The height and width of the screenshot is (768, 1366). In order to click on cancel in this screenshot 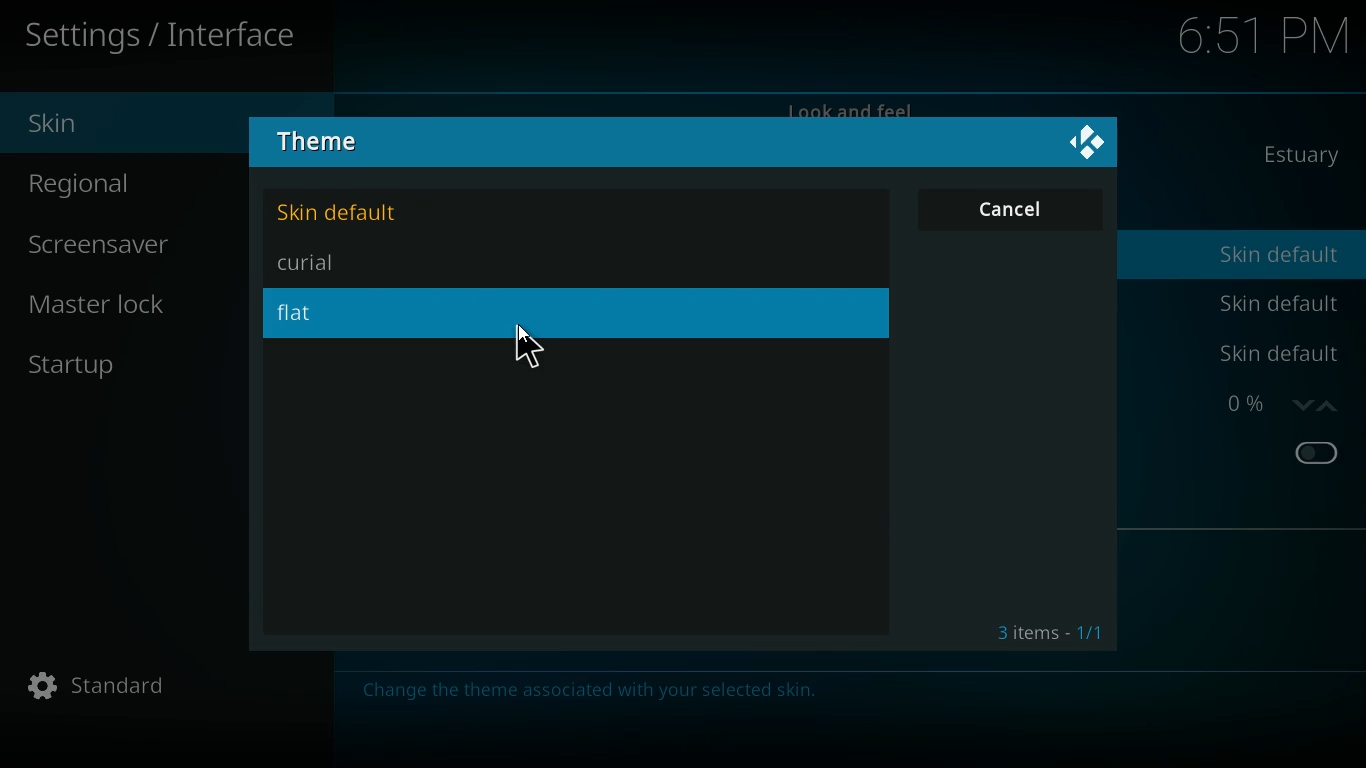, I will do `click(1011, 208)`.